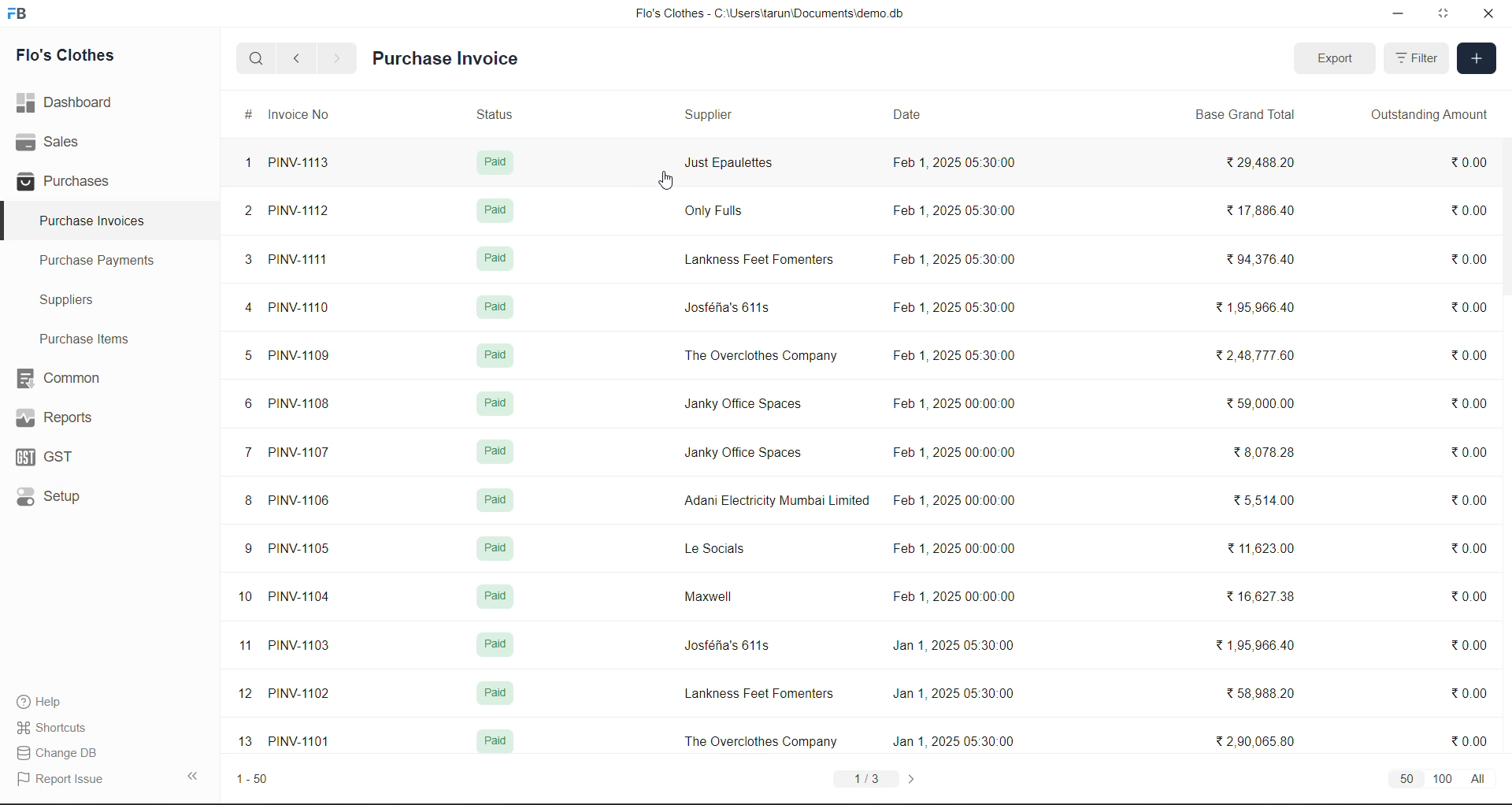 Image resolution: width=1512 pixels, height=805 pixels. What do you see at coordinates (69, 180) in the screenshot?
I see `Purchases` at bounding box center [69, 180].